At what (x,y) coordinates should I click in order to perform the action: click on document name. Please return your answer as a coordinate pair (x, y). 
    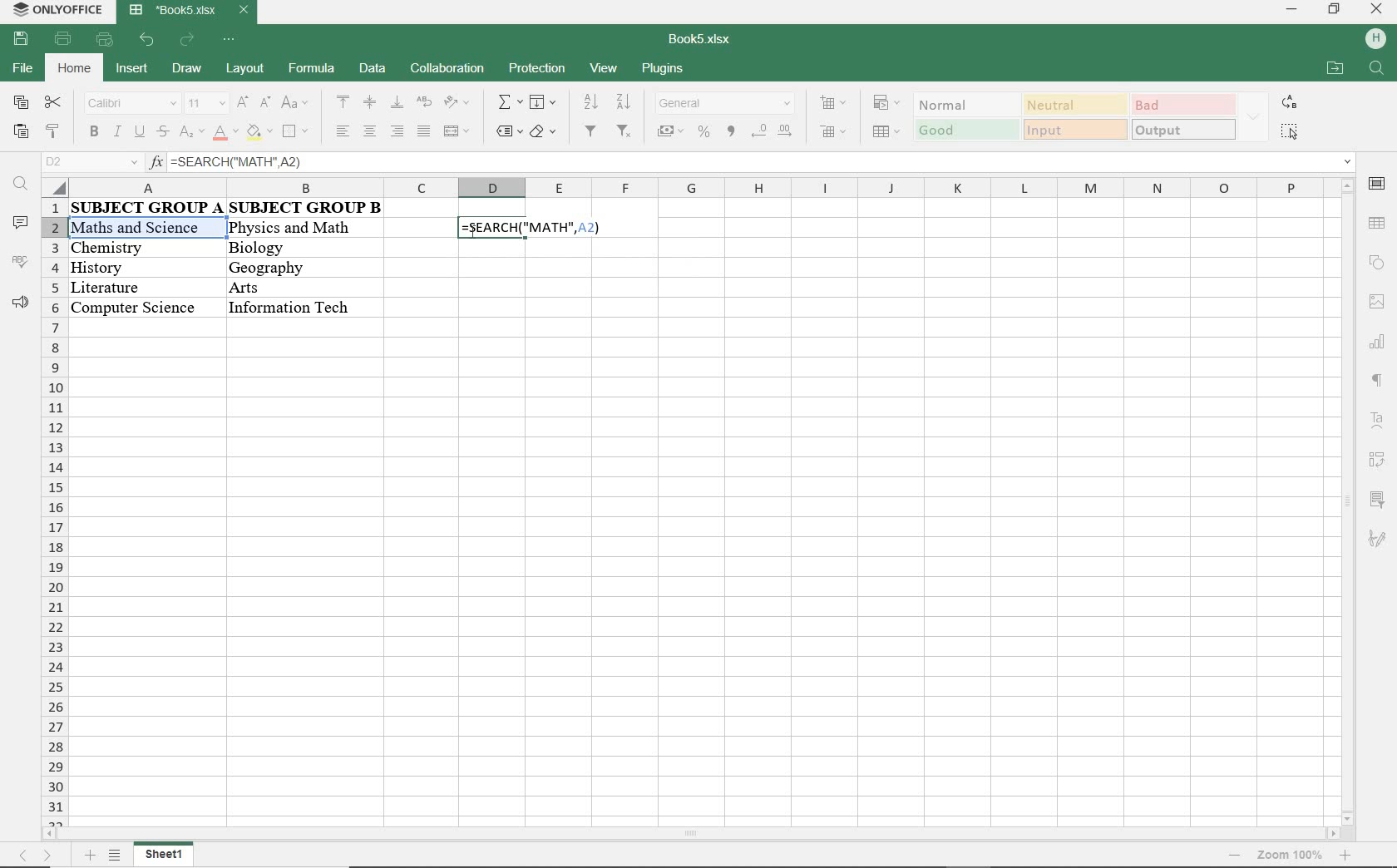
    Looking at the image, I should click on (701, 40).